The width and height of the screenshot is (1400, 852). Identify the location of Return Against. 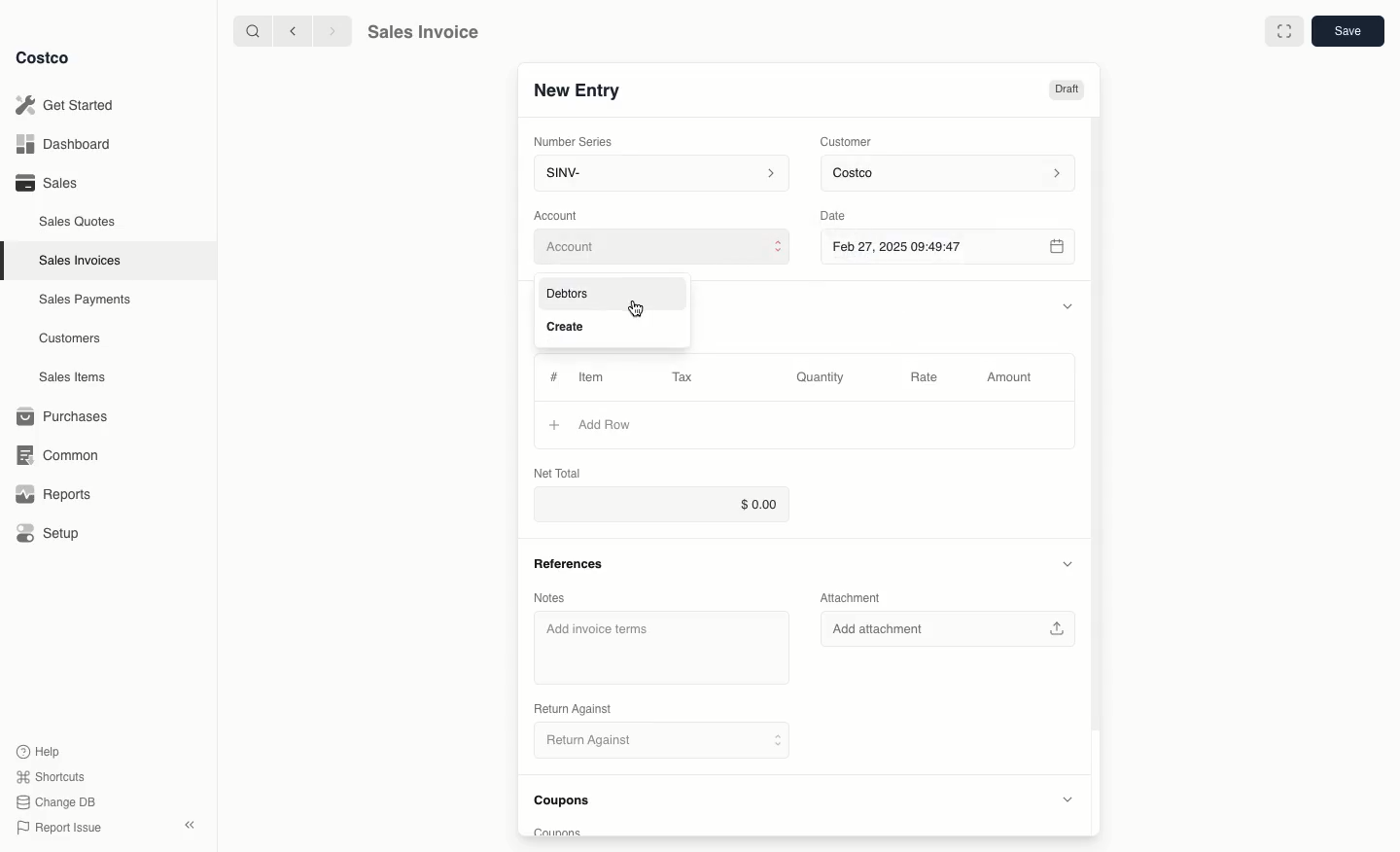
(651, 741).